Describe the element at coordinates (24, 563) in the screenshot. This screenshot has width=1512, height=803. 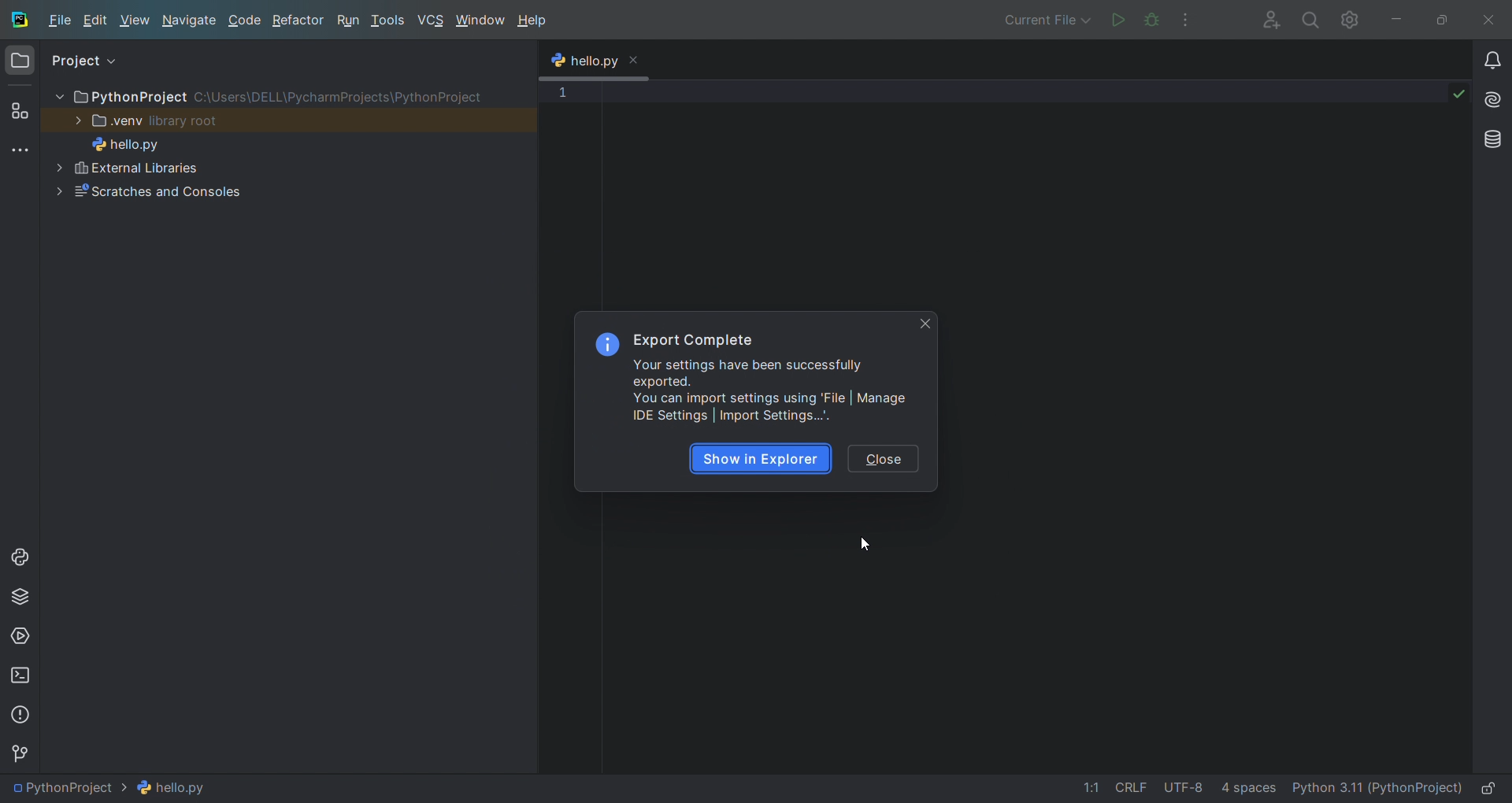
I see `python console` at that location.